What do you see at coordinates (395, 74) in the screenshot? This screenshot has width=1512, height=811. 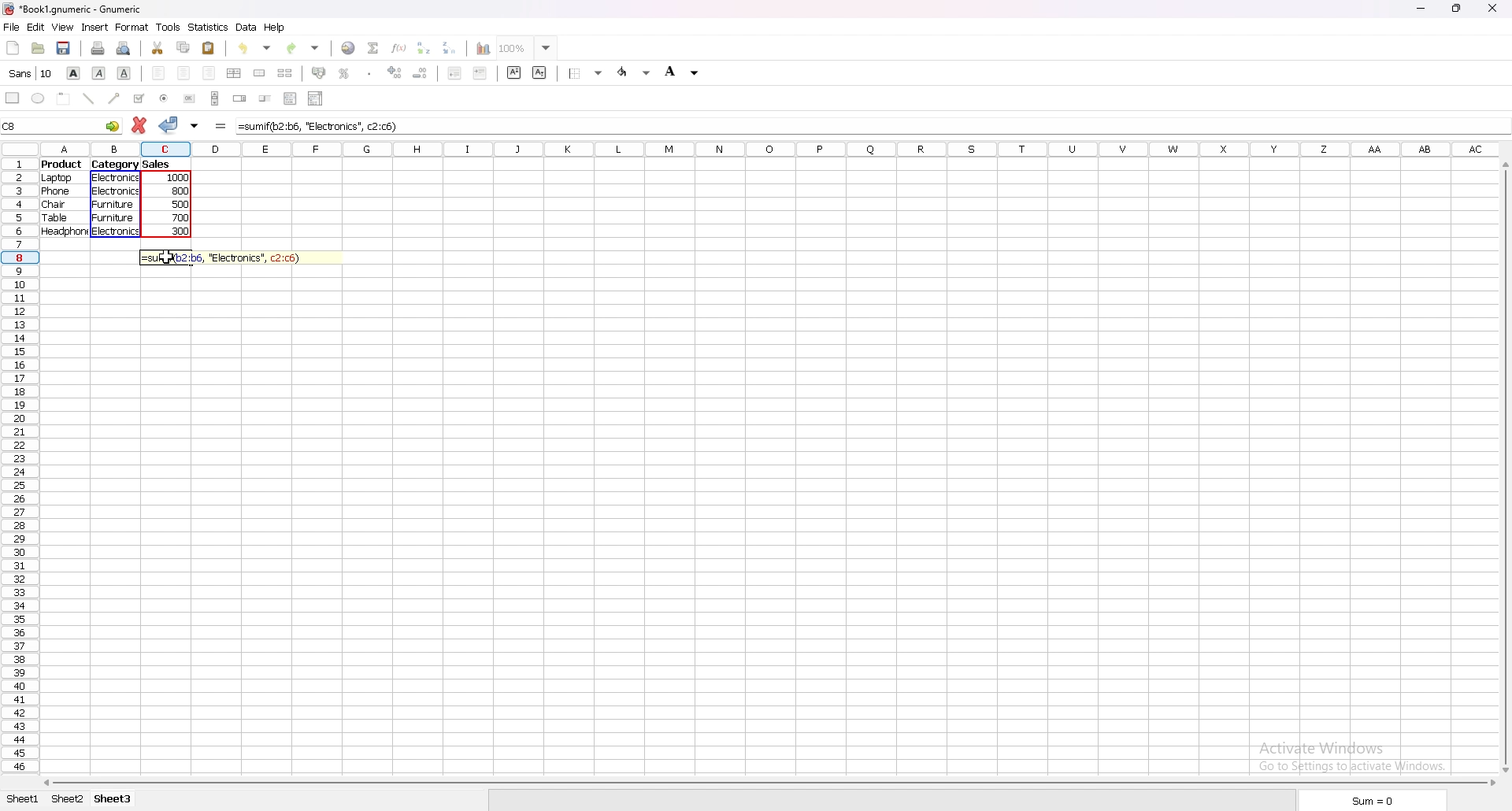 I see `increase decimal` at bounding box center [395, 74].